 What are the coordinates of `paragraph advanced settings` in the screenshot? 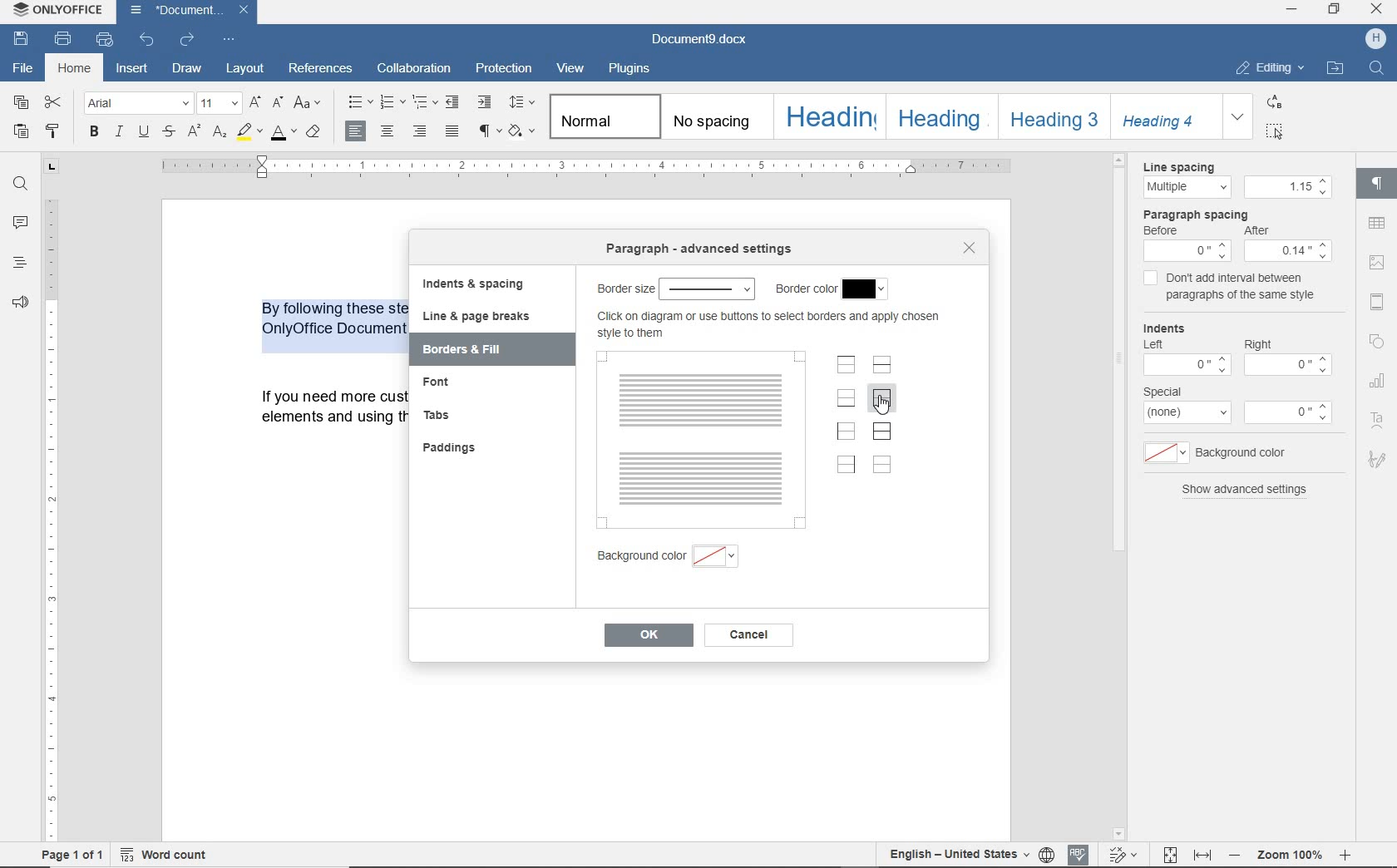 It's located at (700, 249).